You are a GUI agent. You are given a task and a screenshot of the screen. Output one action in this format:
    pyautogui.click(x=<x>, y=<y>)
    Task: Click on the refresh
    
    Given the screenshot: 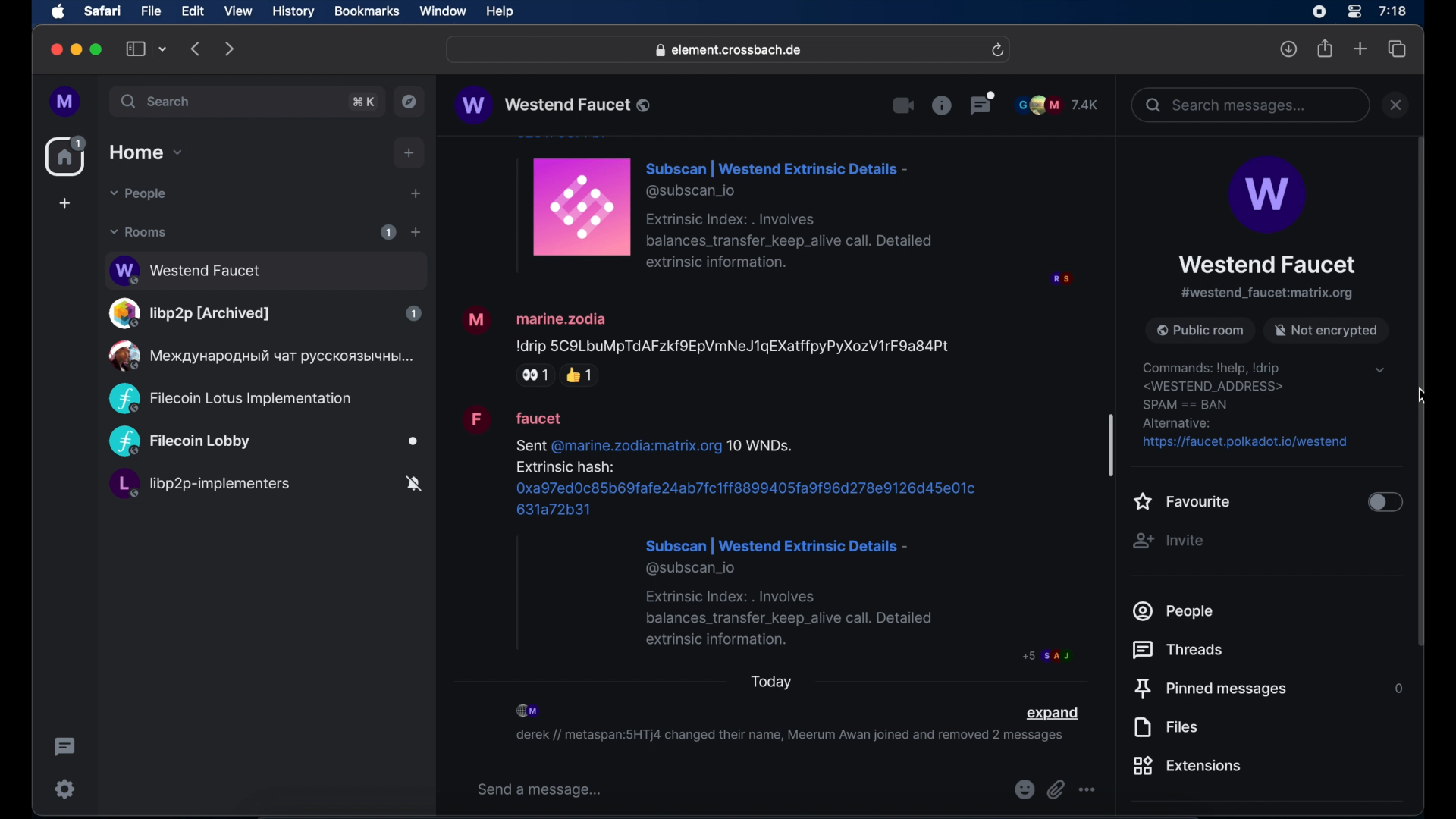 What is the action you would take?
    pyautogui.click(x=997, y=51)
    